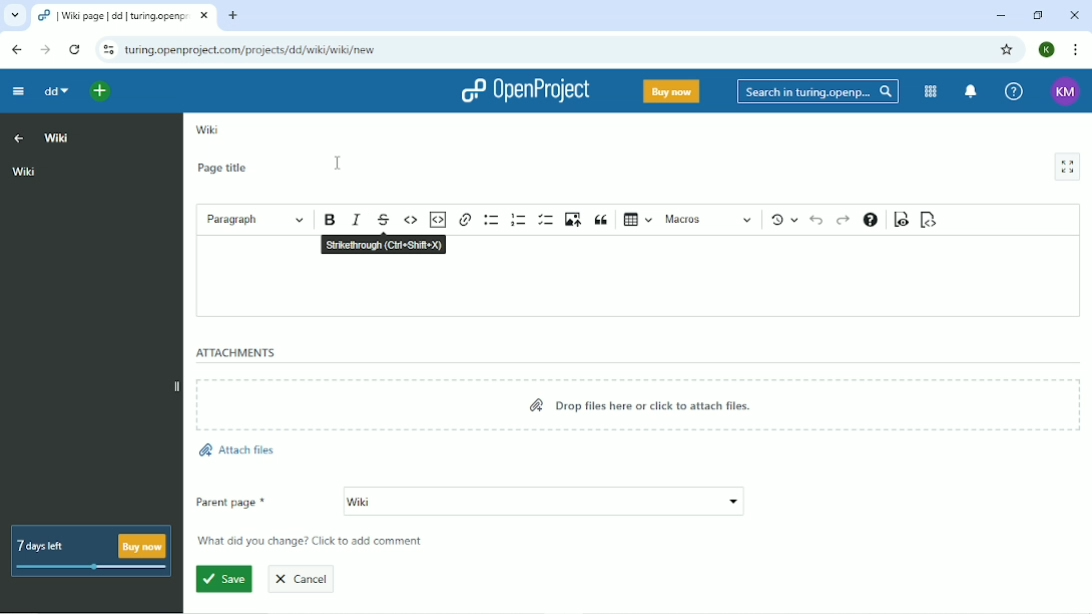 This screenshot has width=1092, height=614. I want to click on Code, so click(410, 221).